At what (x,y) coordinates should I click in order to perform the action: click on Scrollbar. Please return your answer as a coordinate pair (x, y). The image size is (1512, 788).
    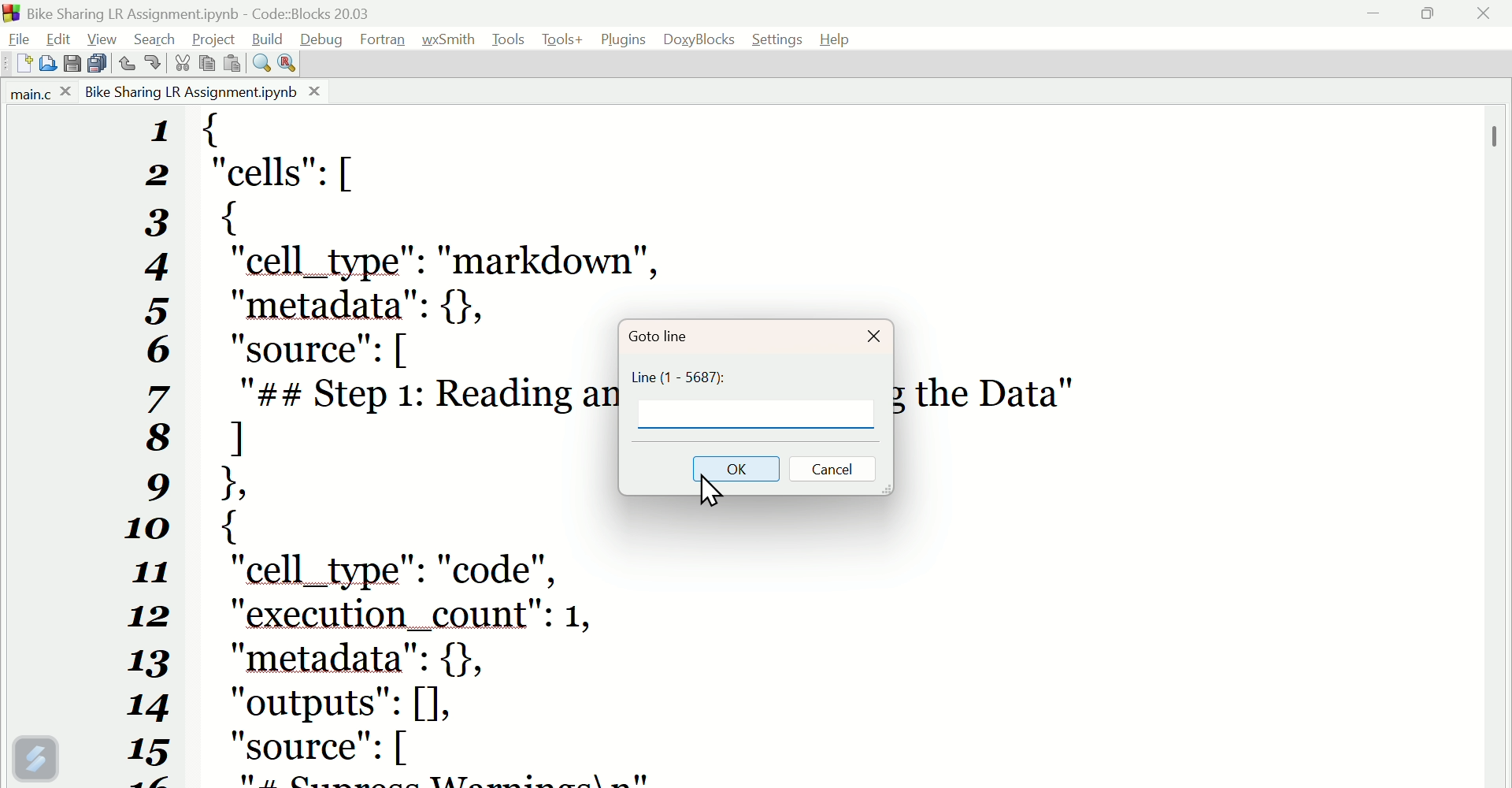
    Looking at the image, I should click on (1496, 135).